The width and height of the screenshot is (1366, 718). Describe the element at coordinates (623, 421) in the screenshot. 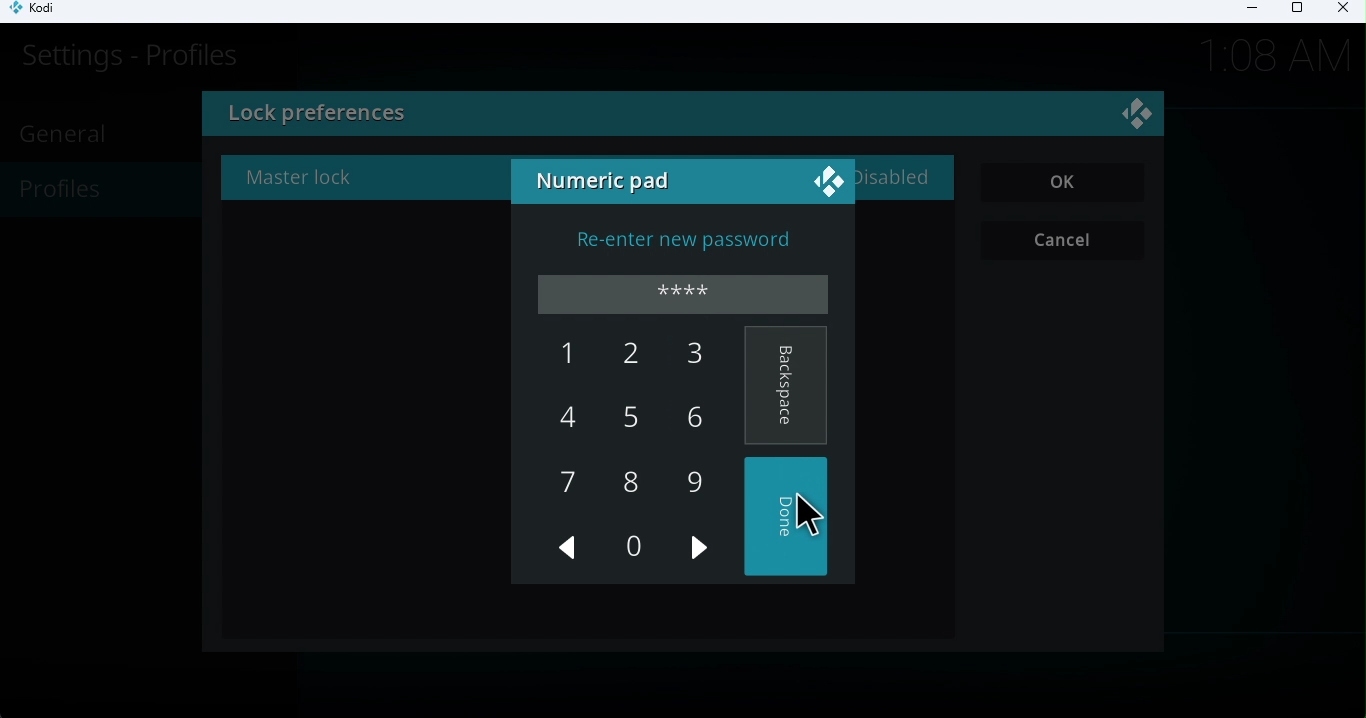

I see `5` at that location.